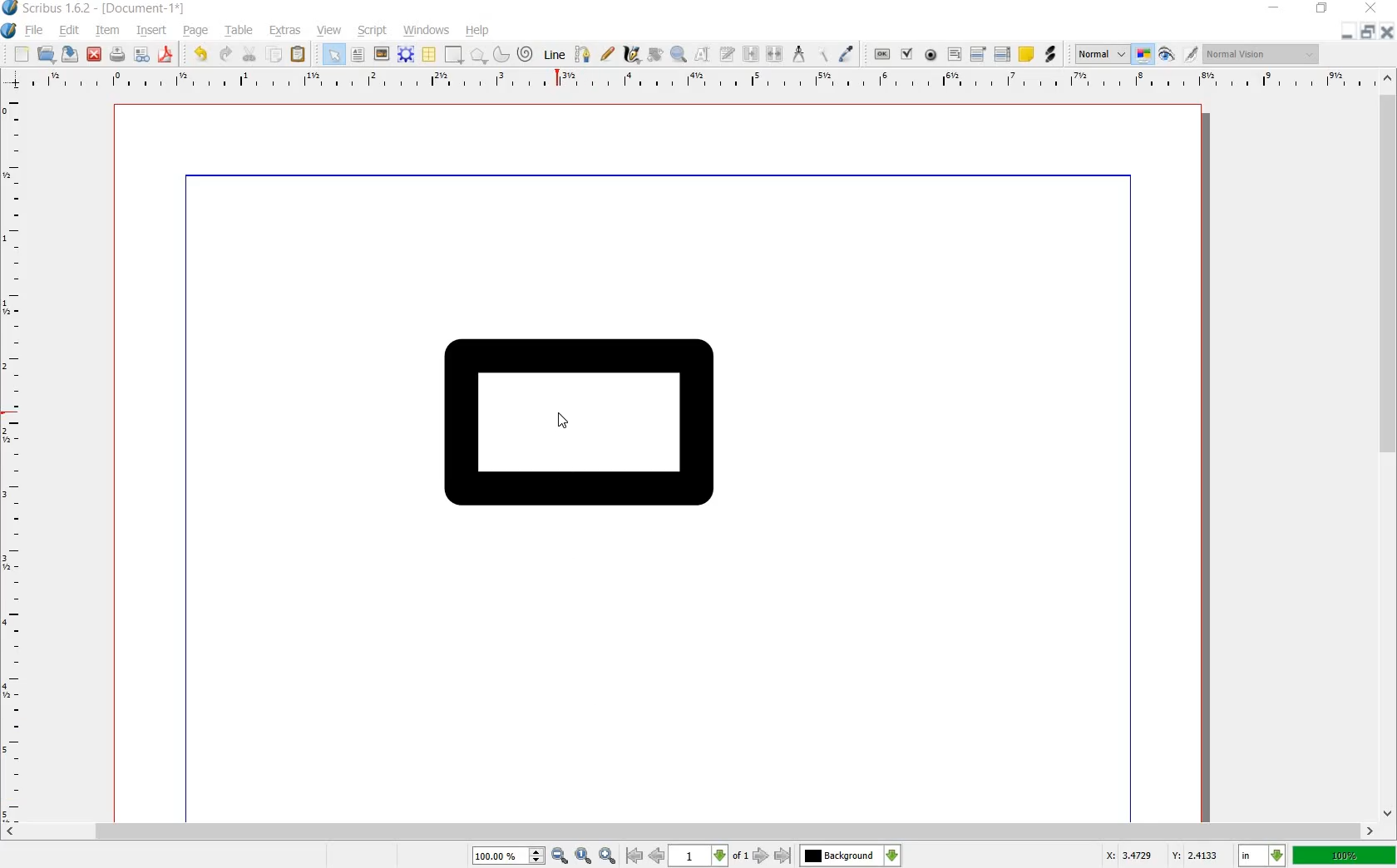 Image resolution: width=1397 pixels, height=868 pixels. I want to click on table, so click(240, 31).